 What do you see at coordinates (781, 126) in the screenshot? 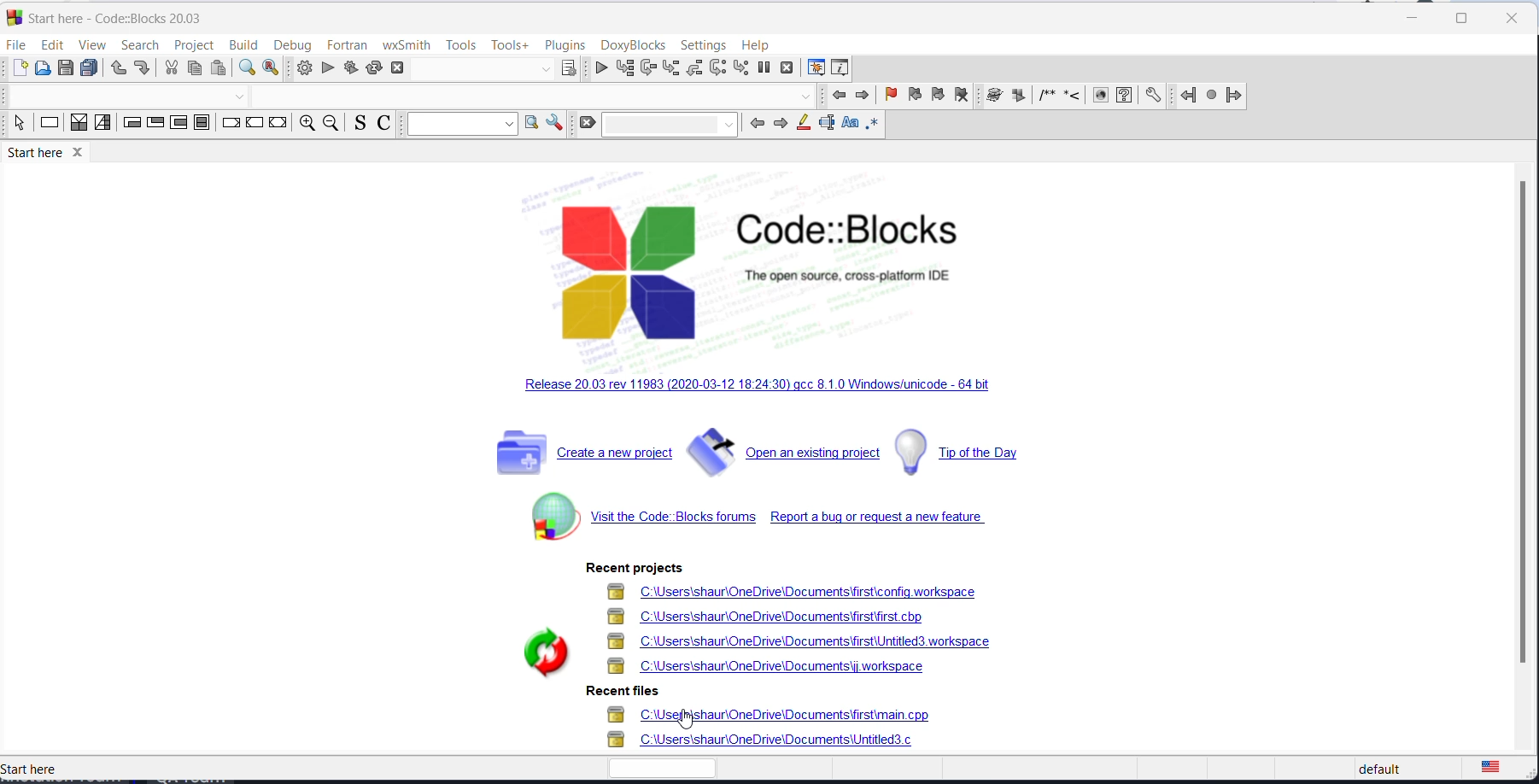
I see `next` at bounding box center [781, 126].